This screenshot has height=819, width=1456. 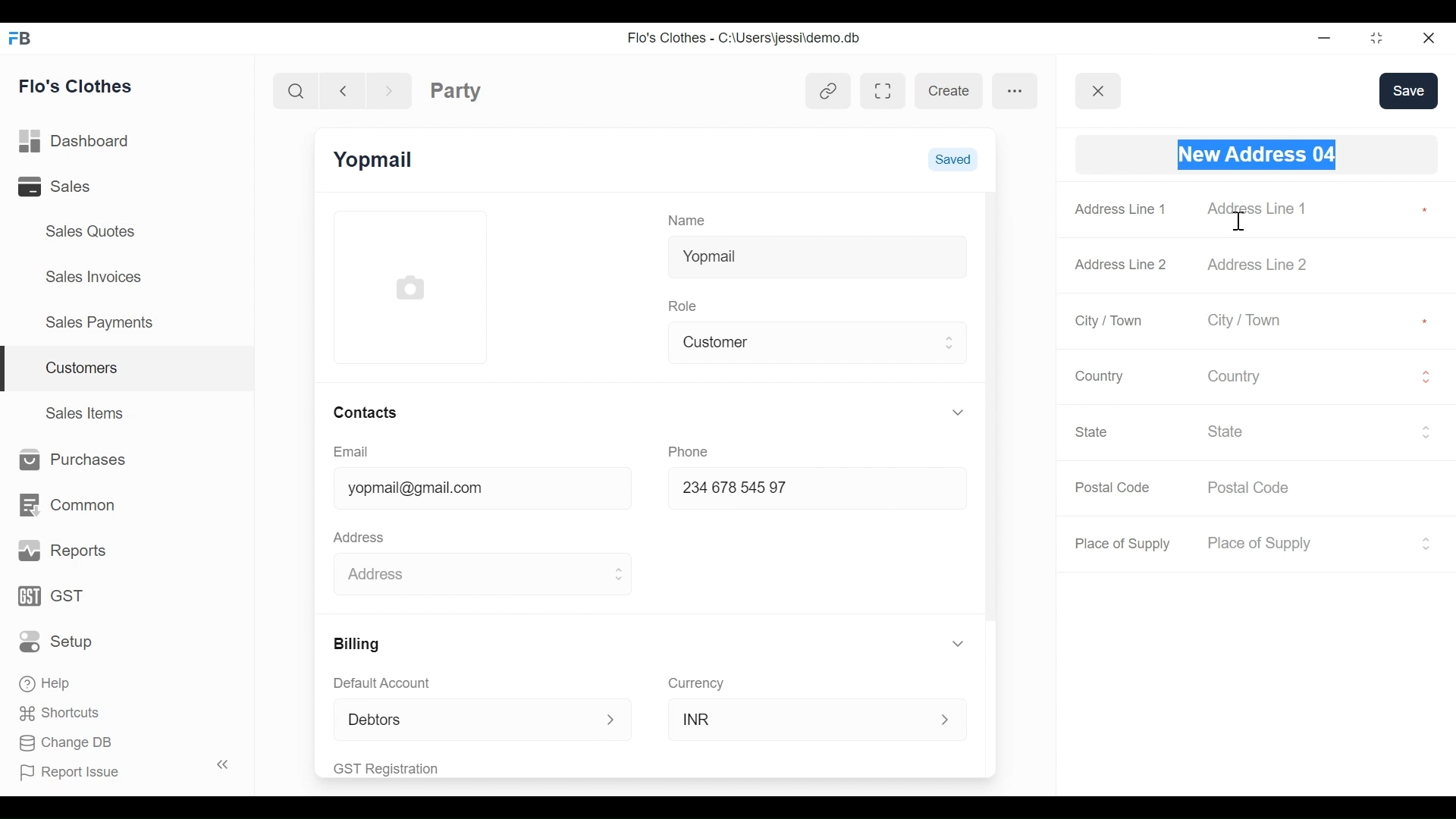 What do you see at coordinates (405, 768) in the screenshot?
I see `GST Registration` at bounding box center [405, 768].